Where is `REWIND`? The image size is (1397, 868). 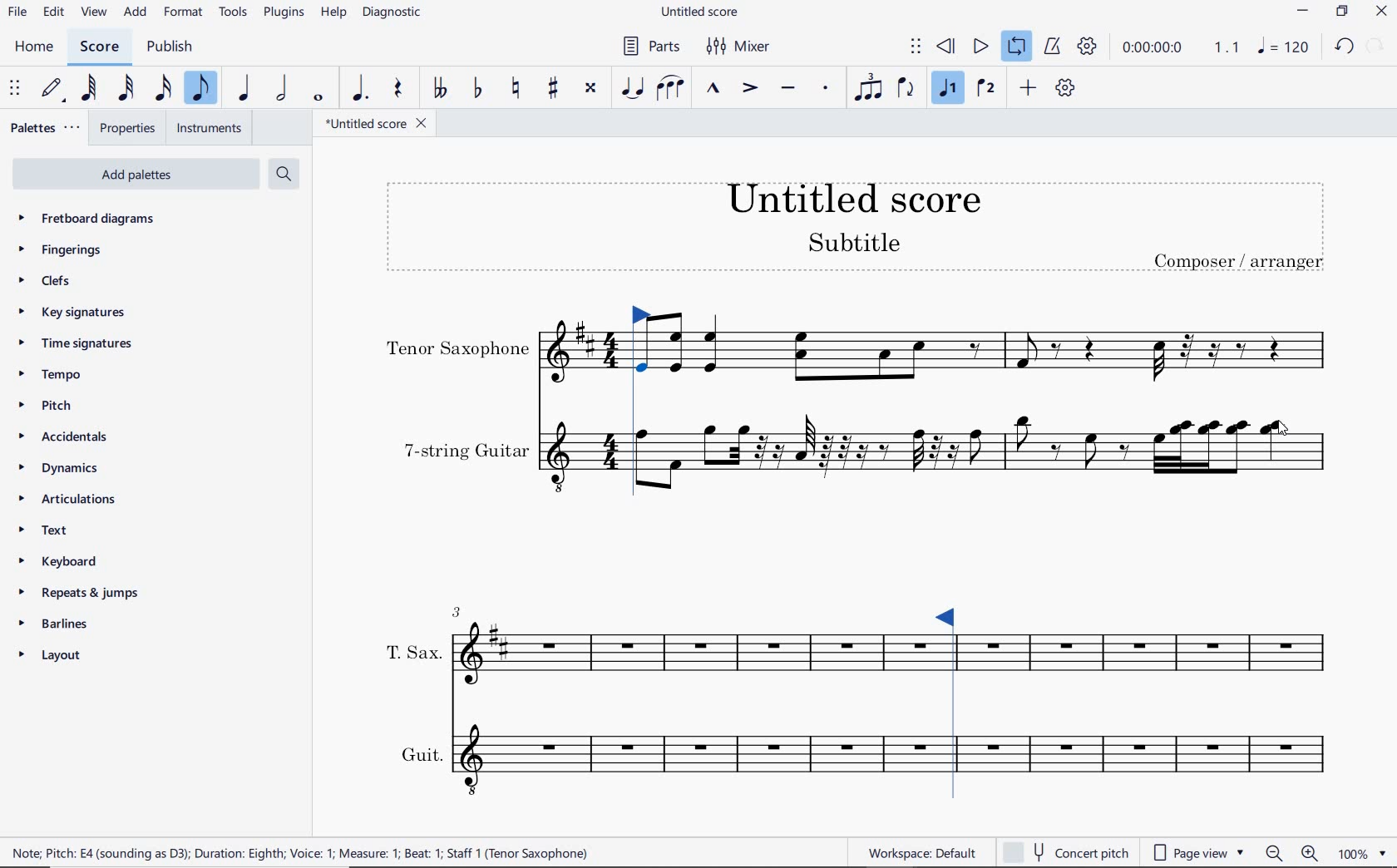 REWIND is located at coordinates (949, 45).